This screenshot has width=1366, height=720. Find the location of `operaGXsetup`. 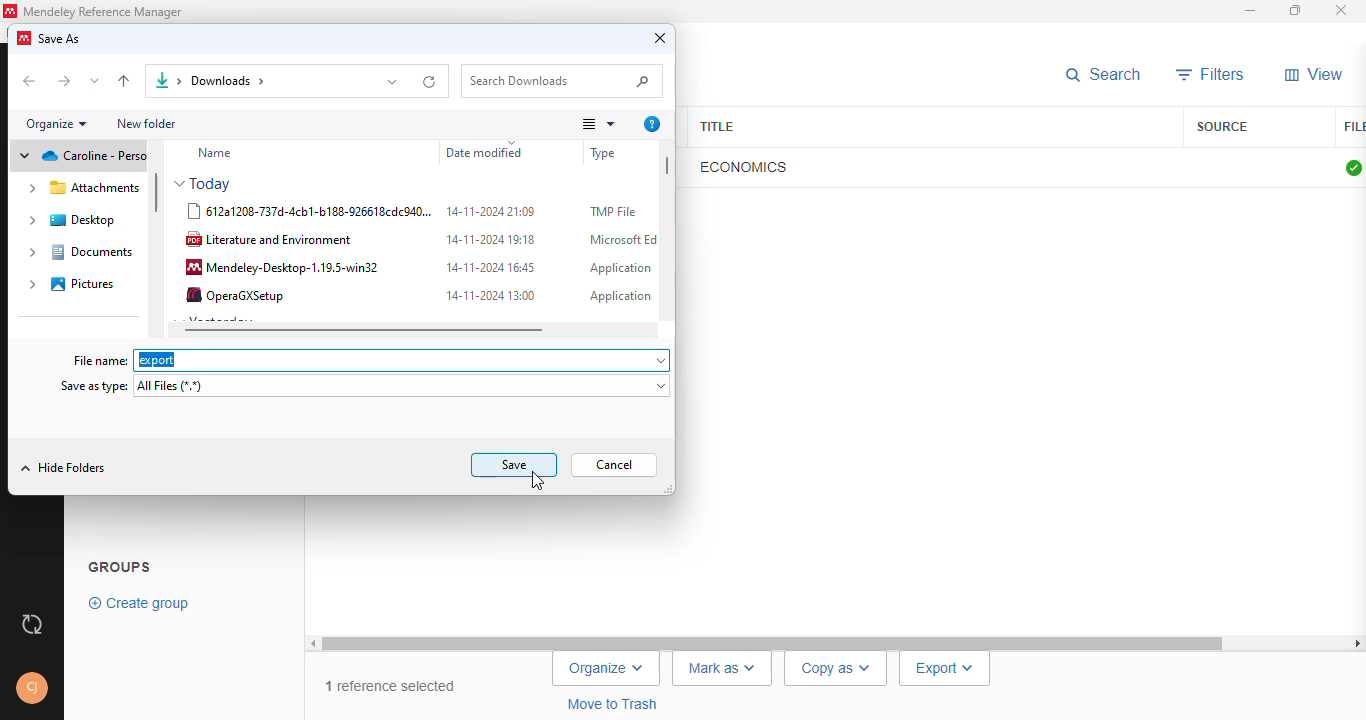

operaGXsetup is located at coordinates (236, 294).